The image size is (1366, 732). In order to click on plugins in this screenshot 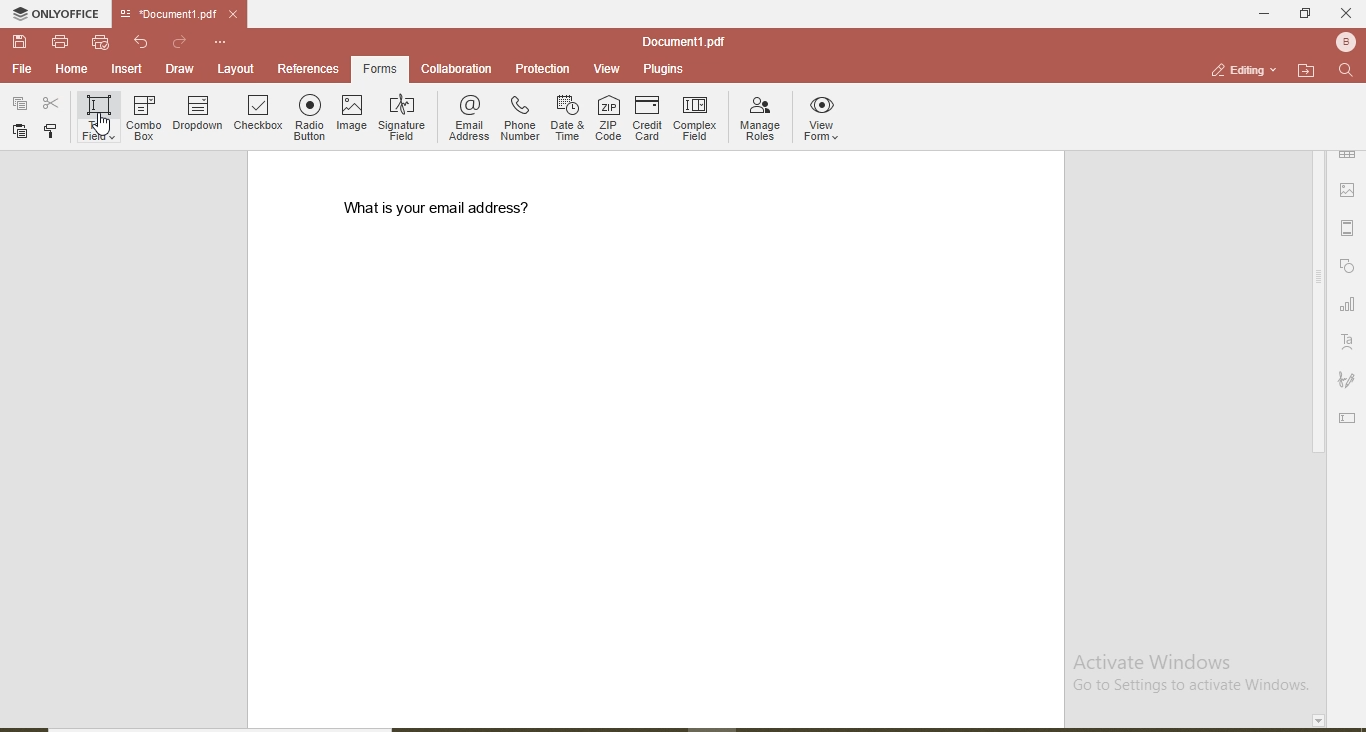, I will do `click(662, 71)`.